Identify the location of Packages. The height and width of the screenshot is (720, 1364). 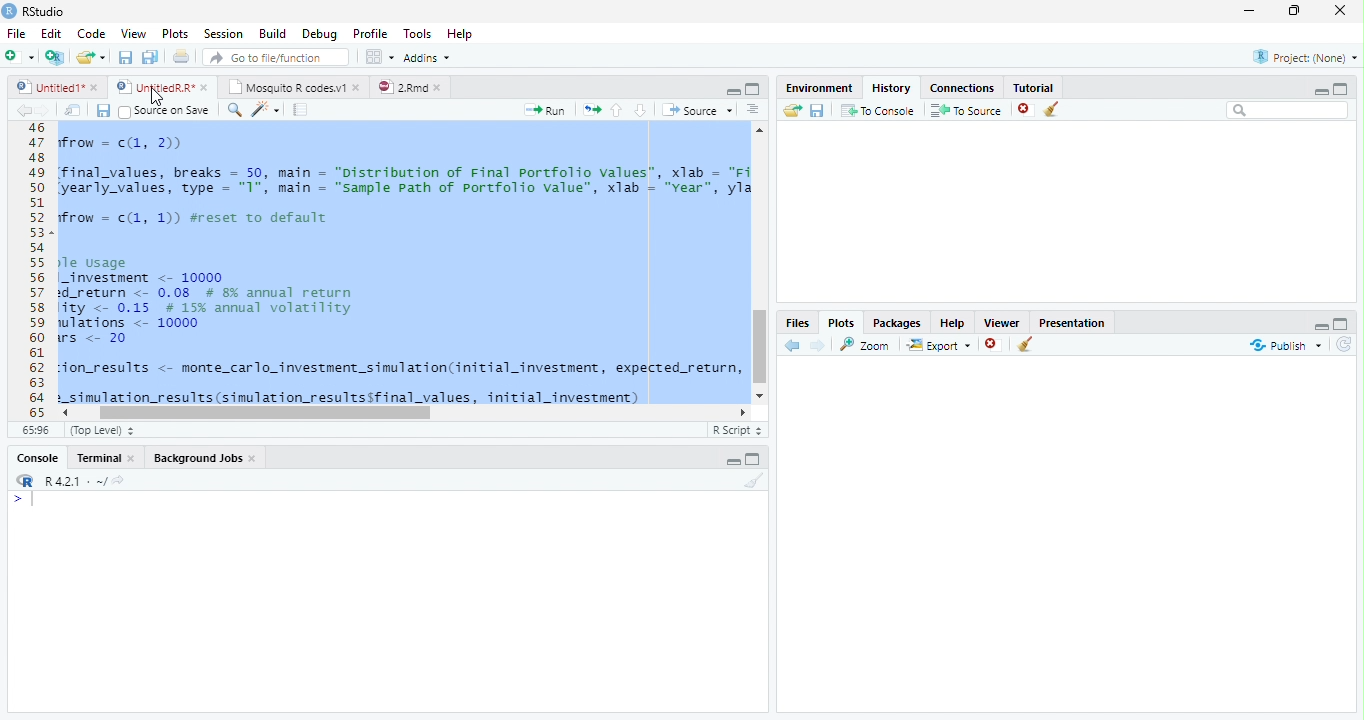
(896, 321).